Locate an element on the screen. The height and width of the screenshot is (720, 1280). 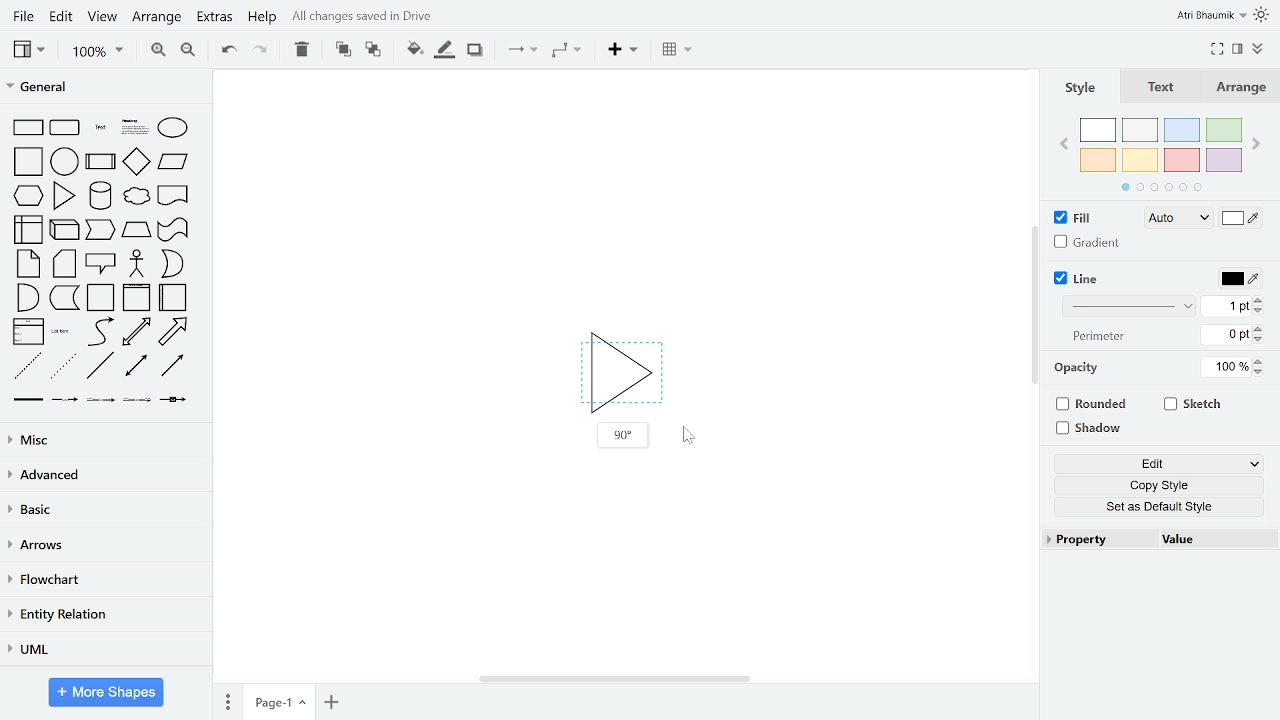
zoom is located at coordinates (97, 52).